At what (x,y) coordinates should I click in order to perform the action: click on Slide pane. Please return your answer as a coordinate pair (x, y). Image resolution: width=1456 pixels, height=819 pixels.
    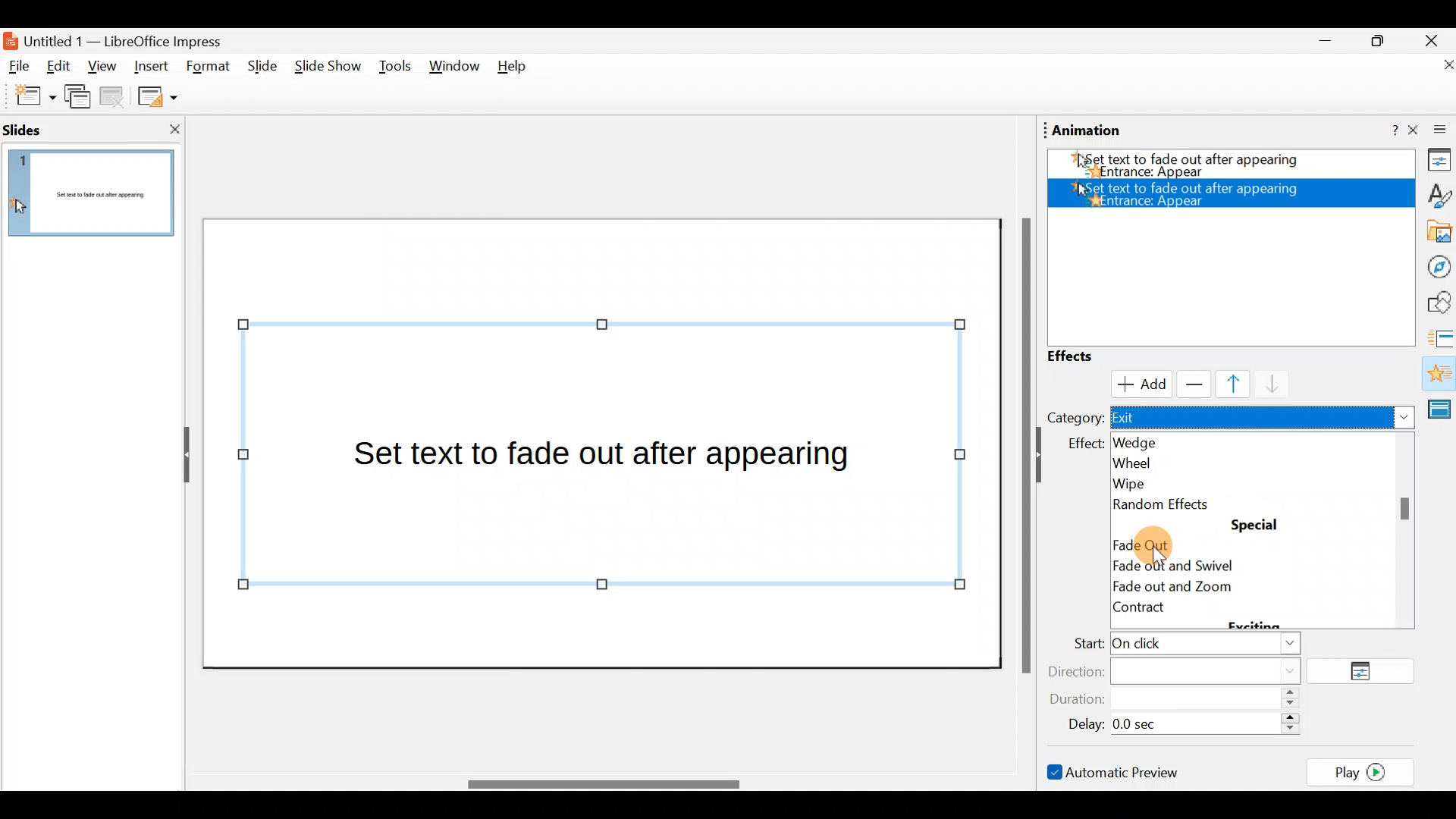
    Looking at the image, I should click on (92, 190).